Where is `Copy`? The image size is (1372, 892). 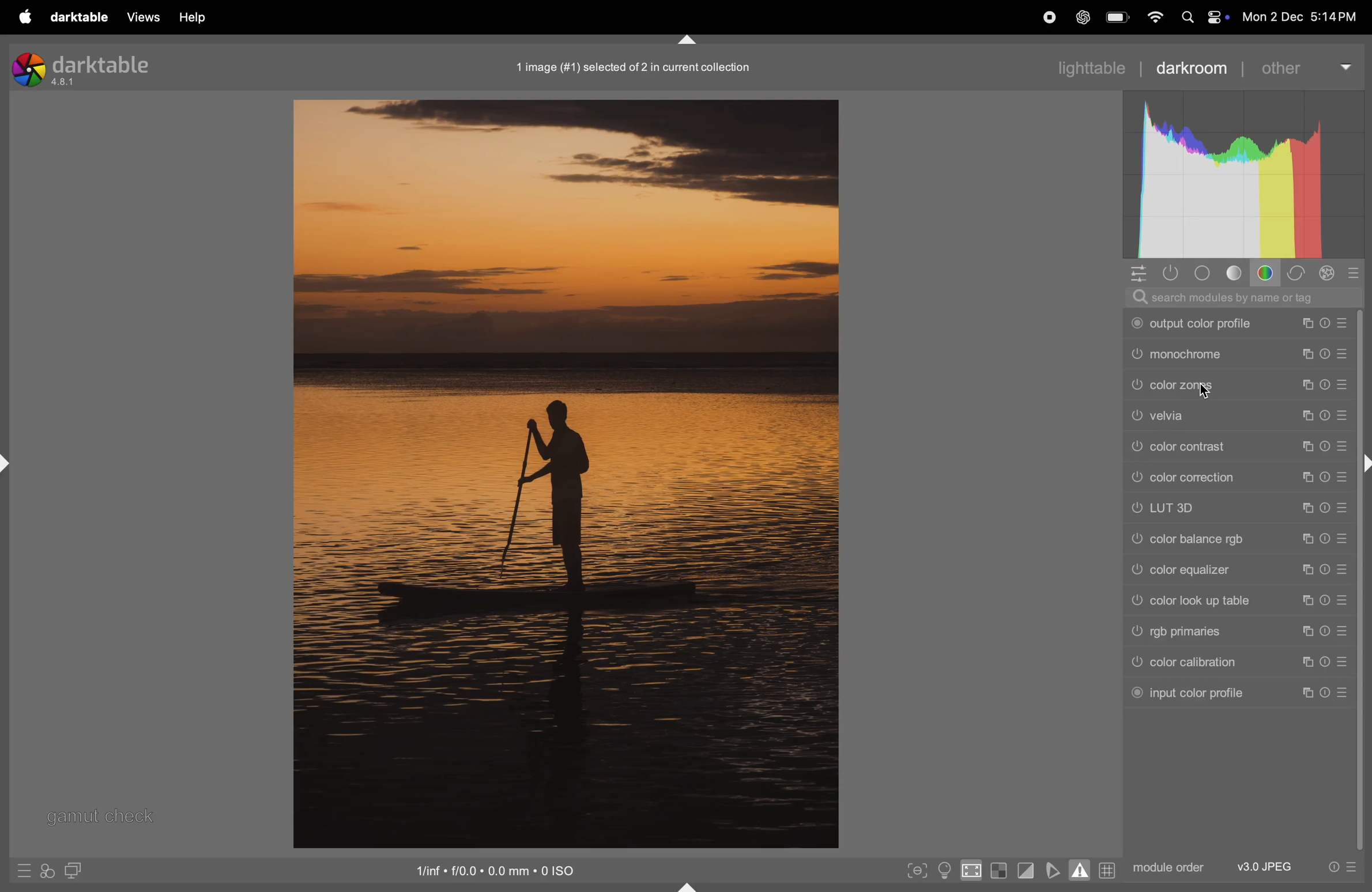
Copy is located at coordinates (1306, 600).